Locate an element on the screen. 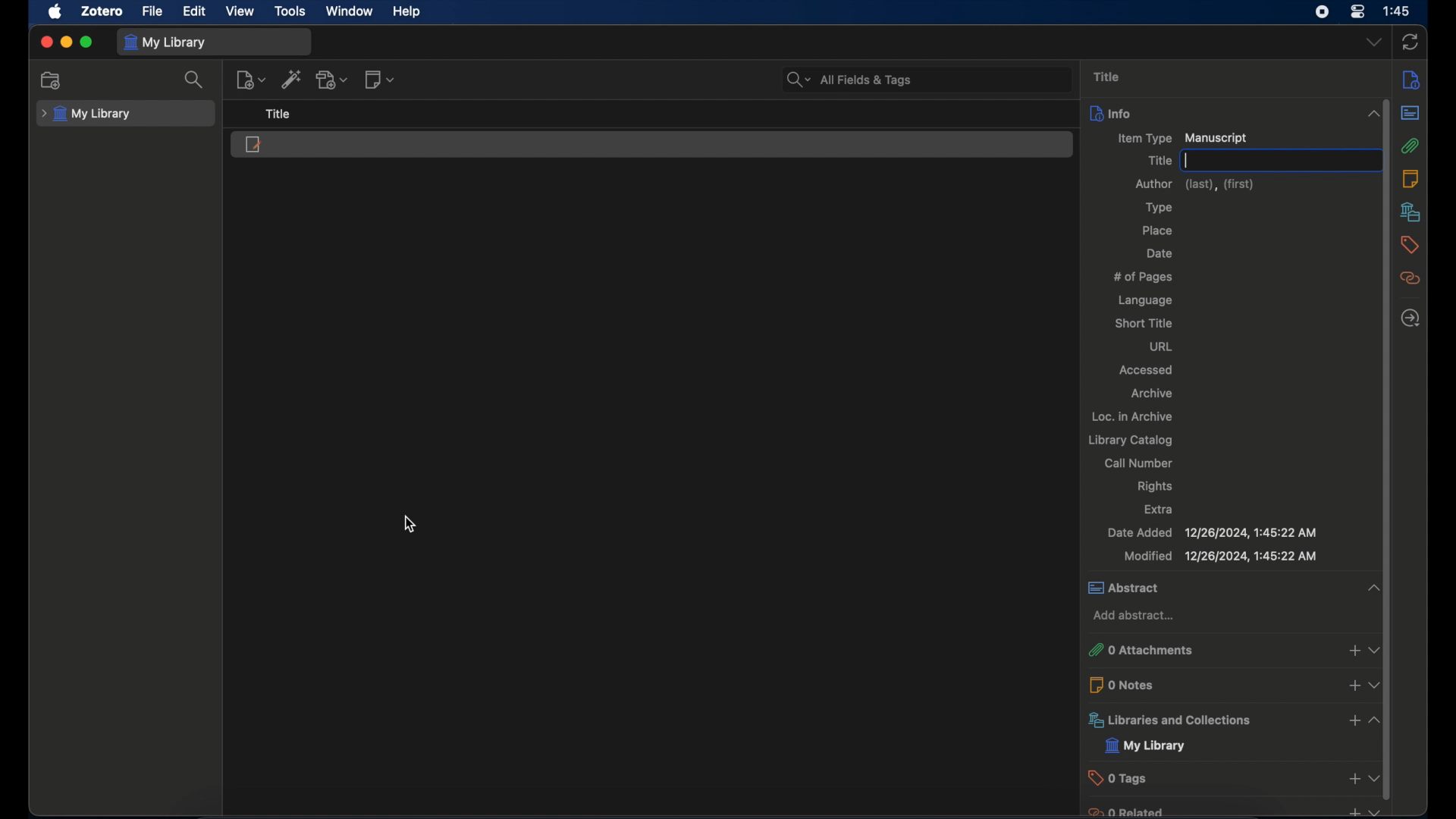 The width and height of the screenshot is (1456, 819). call number is located at coordinates (1139, 463).